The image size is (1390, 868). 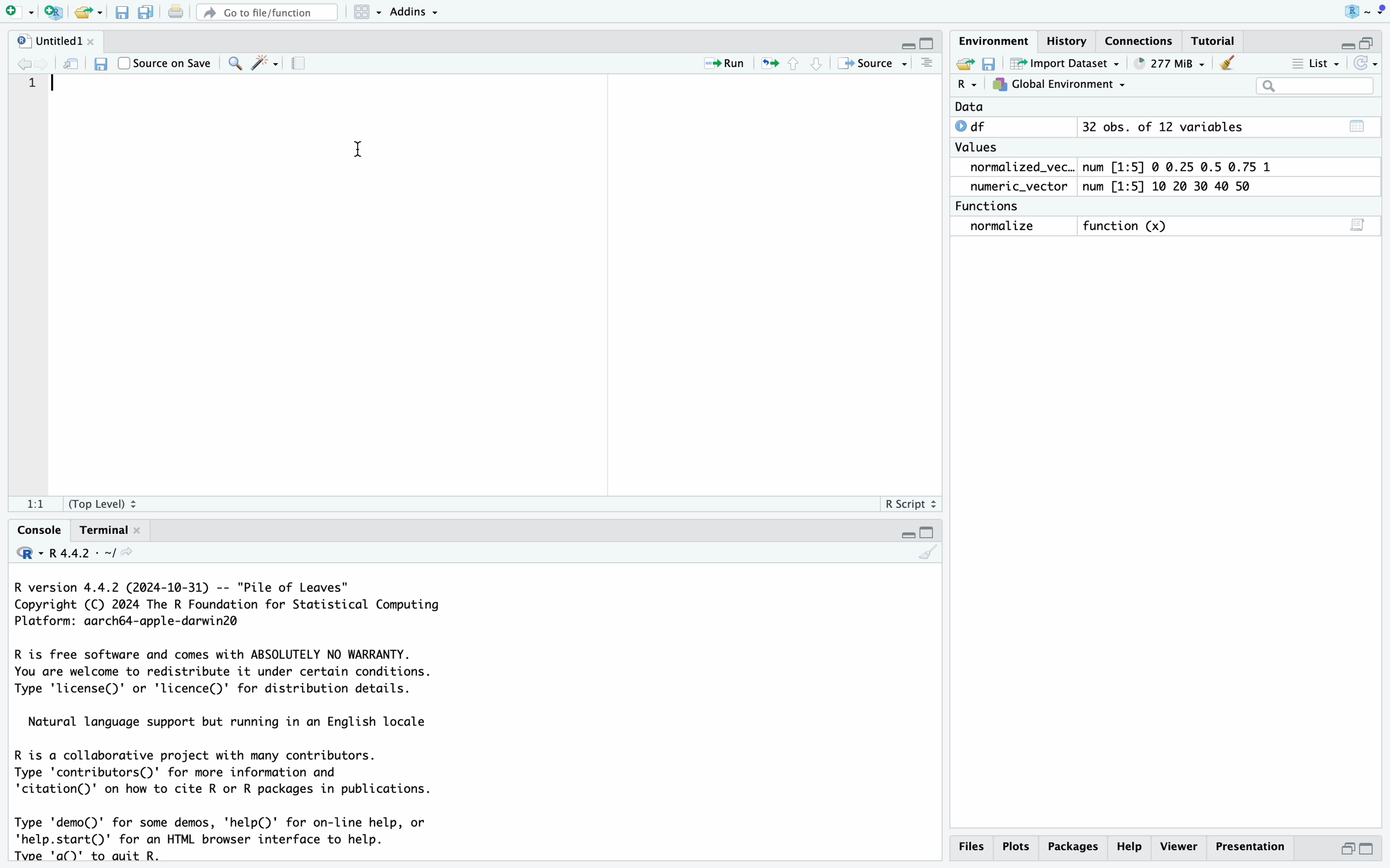 What do you see at coordinates (926, 552) in the screenshot?
I see `CLEAN UP` at bounding box center [926, 552].